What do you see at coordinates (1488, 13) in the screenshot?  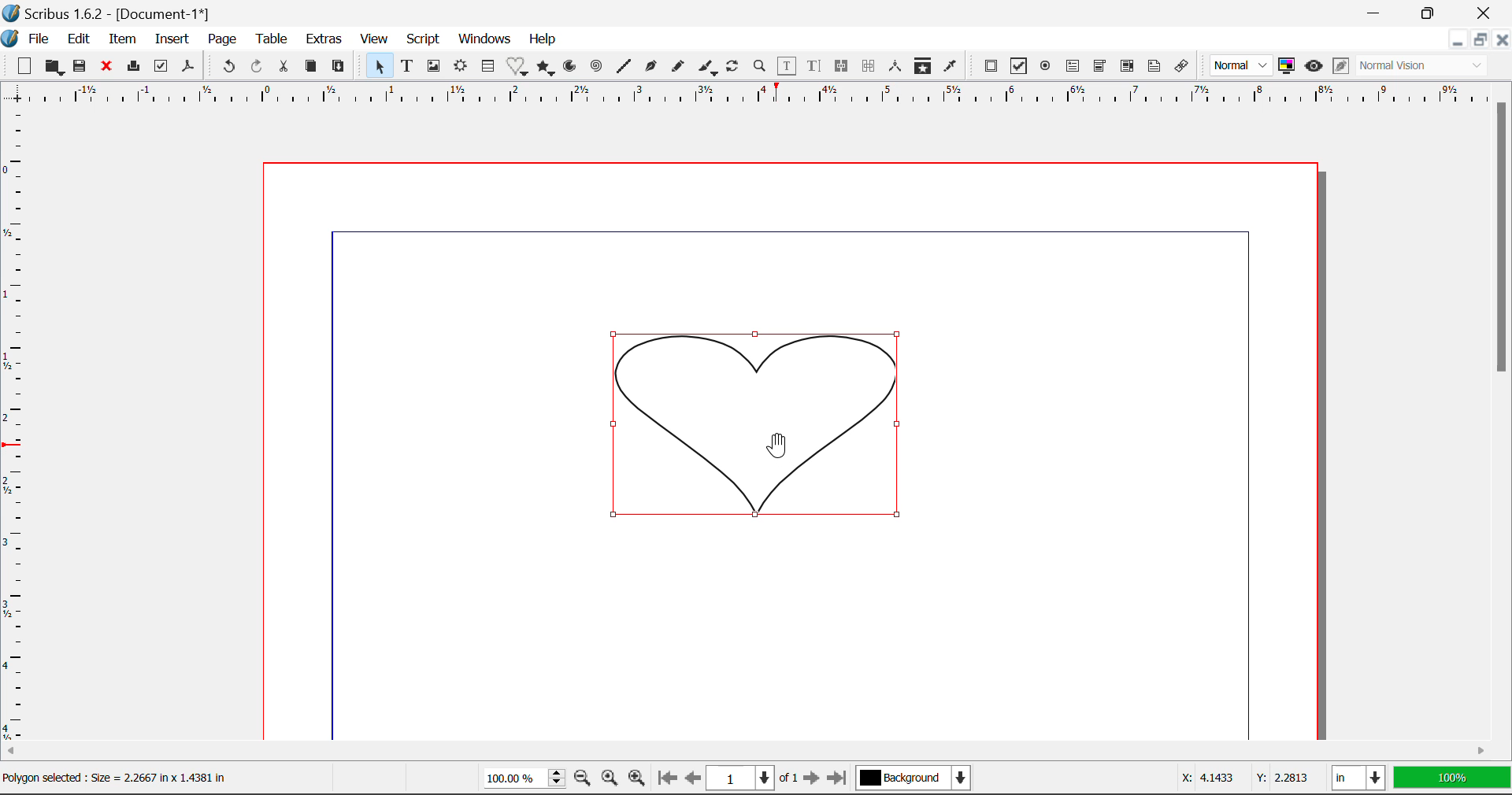 I see `Close` at bounding box center [1488, 13].